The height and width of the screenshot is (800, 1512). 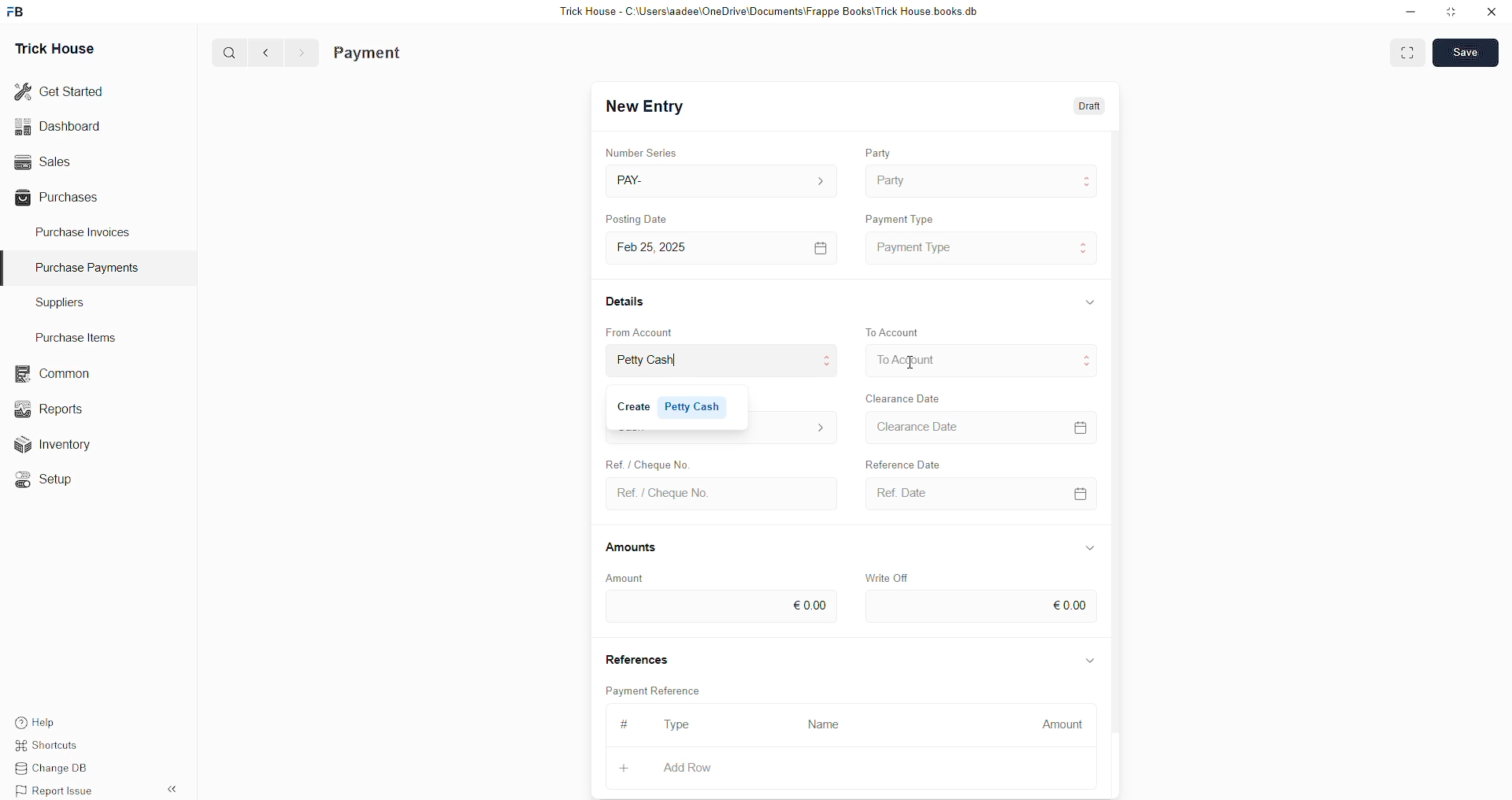 I want to click on Shortcuts, so click(x=56, y=747).